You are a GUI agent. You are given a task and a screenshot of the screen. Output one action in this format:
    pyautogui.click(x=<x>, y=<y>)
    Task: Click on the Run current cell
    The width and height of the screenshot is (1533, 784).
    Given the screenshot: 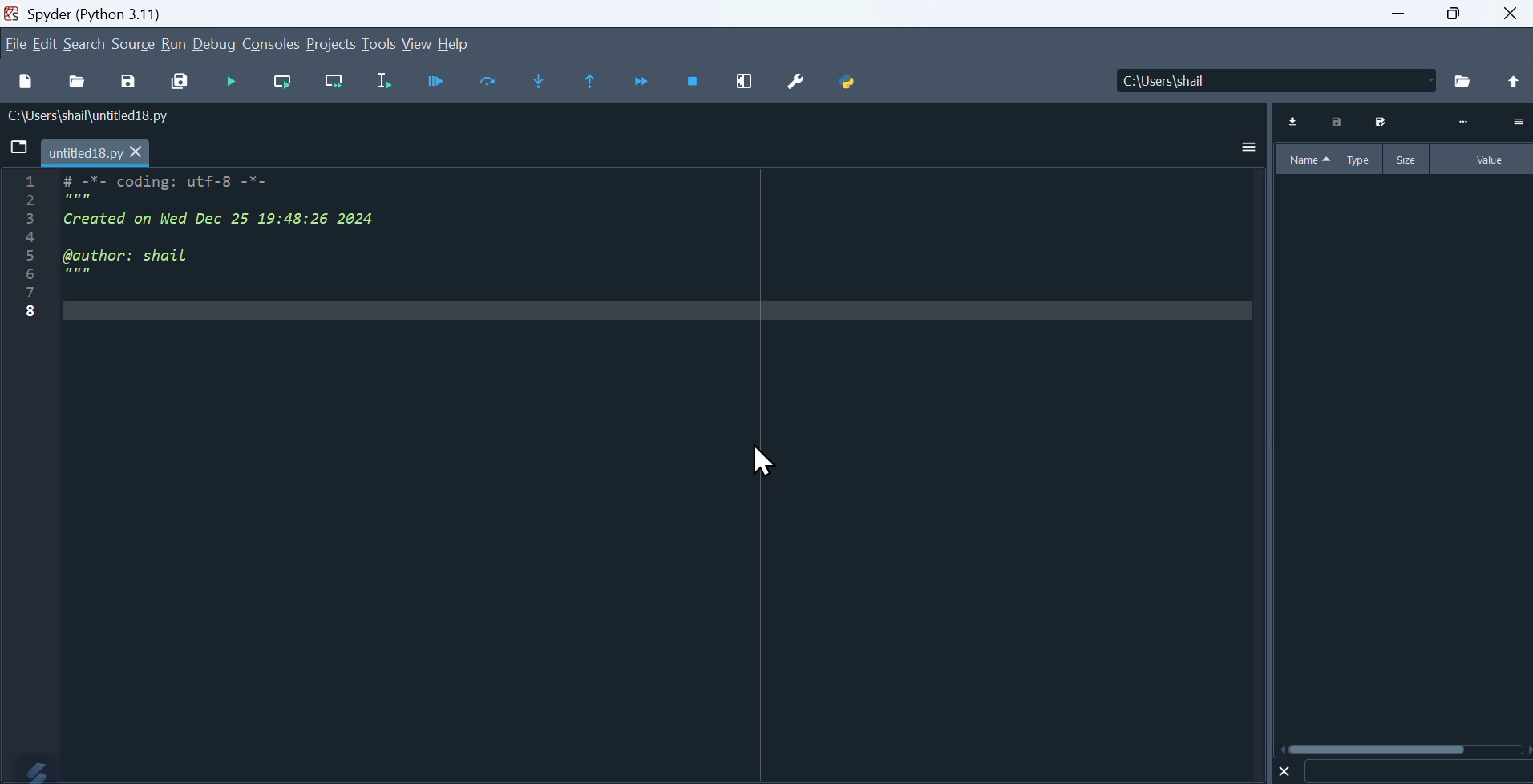 What is the action you would take?
    pyautogui.click(x=282, y=83)
    